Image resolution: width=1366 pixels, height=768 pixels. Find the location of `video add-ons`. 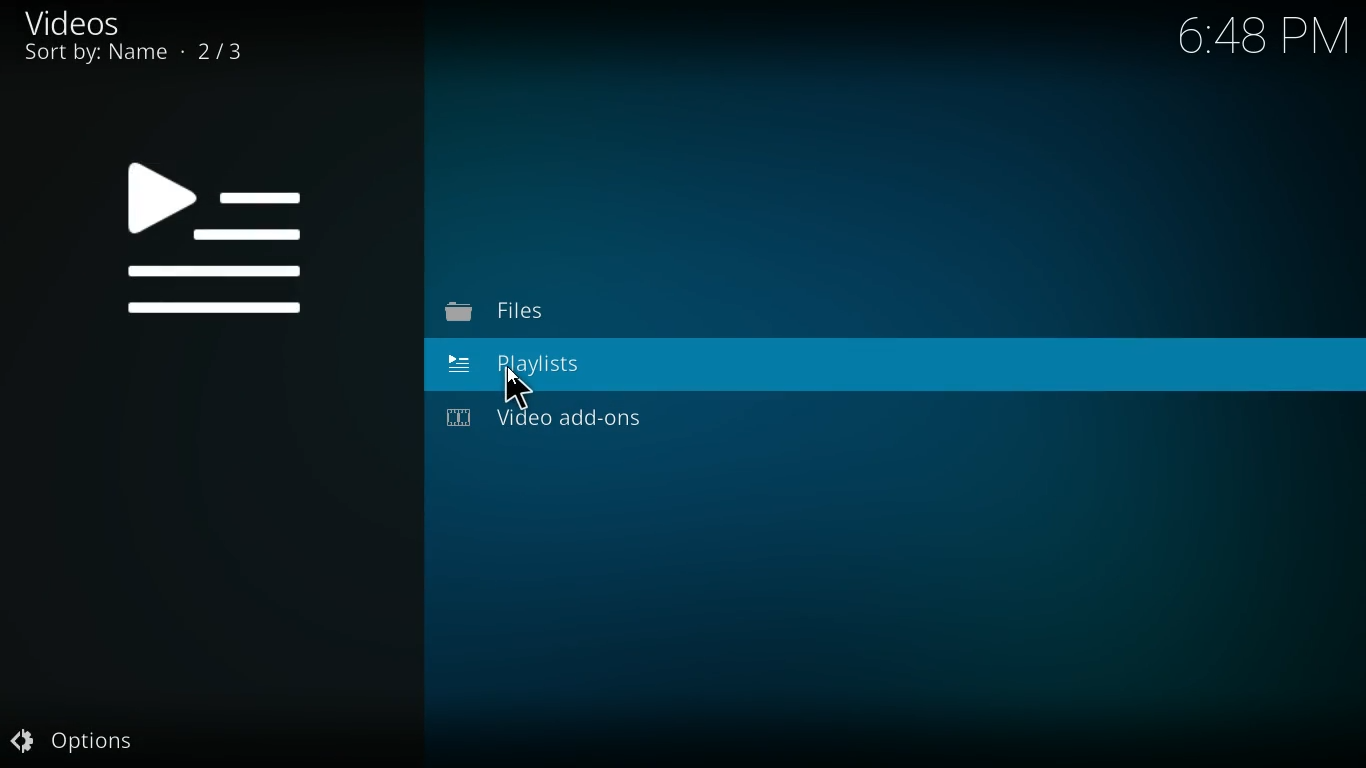

video add-ons is located at coordinates (567, 421).